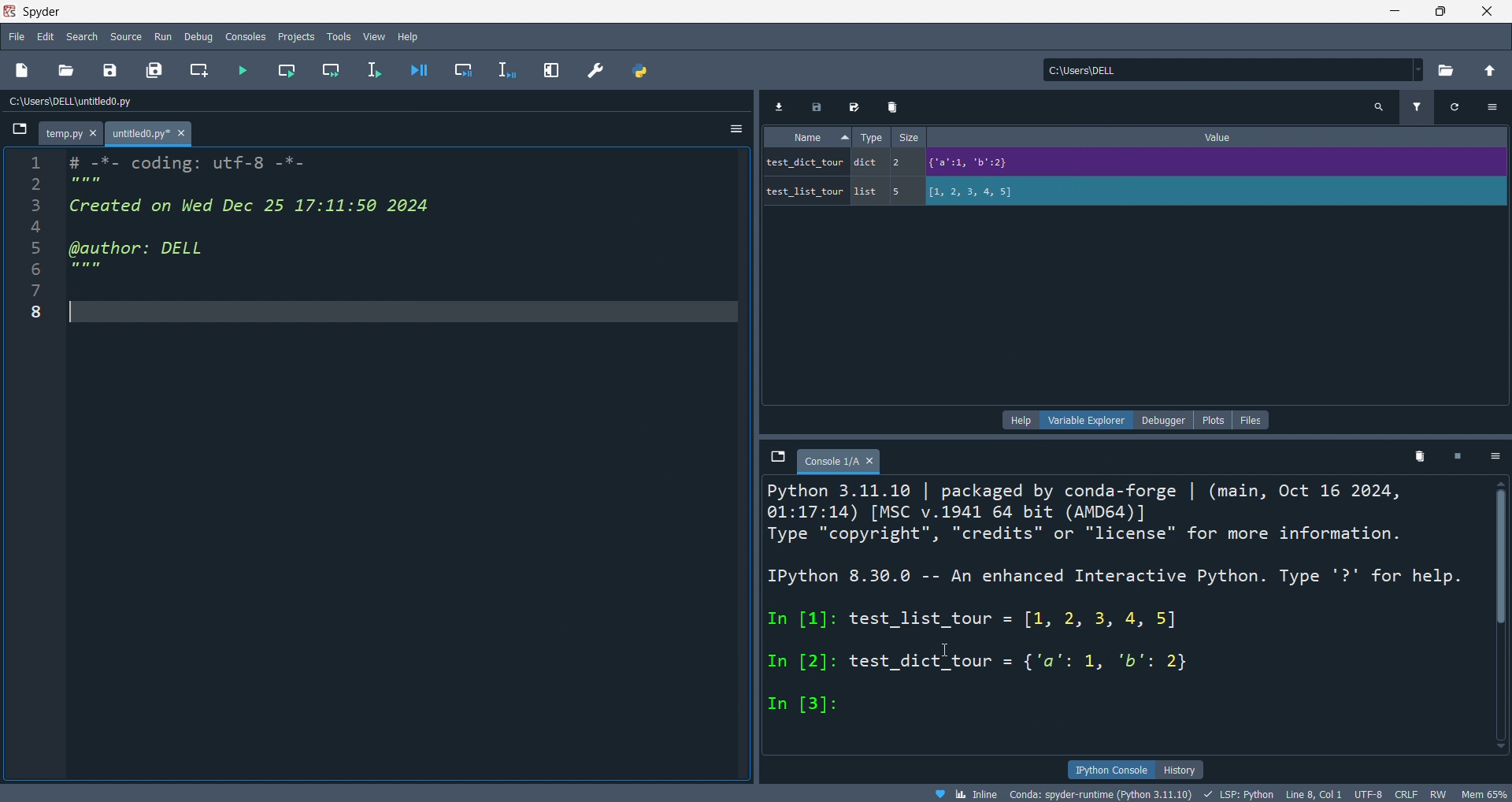 This screenshot has width=1512, height=802. Describe the element at coordinates (371, 37) in the screenshot. I see `view` at that location.